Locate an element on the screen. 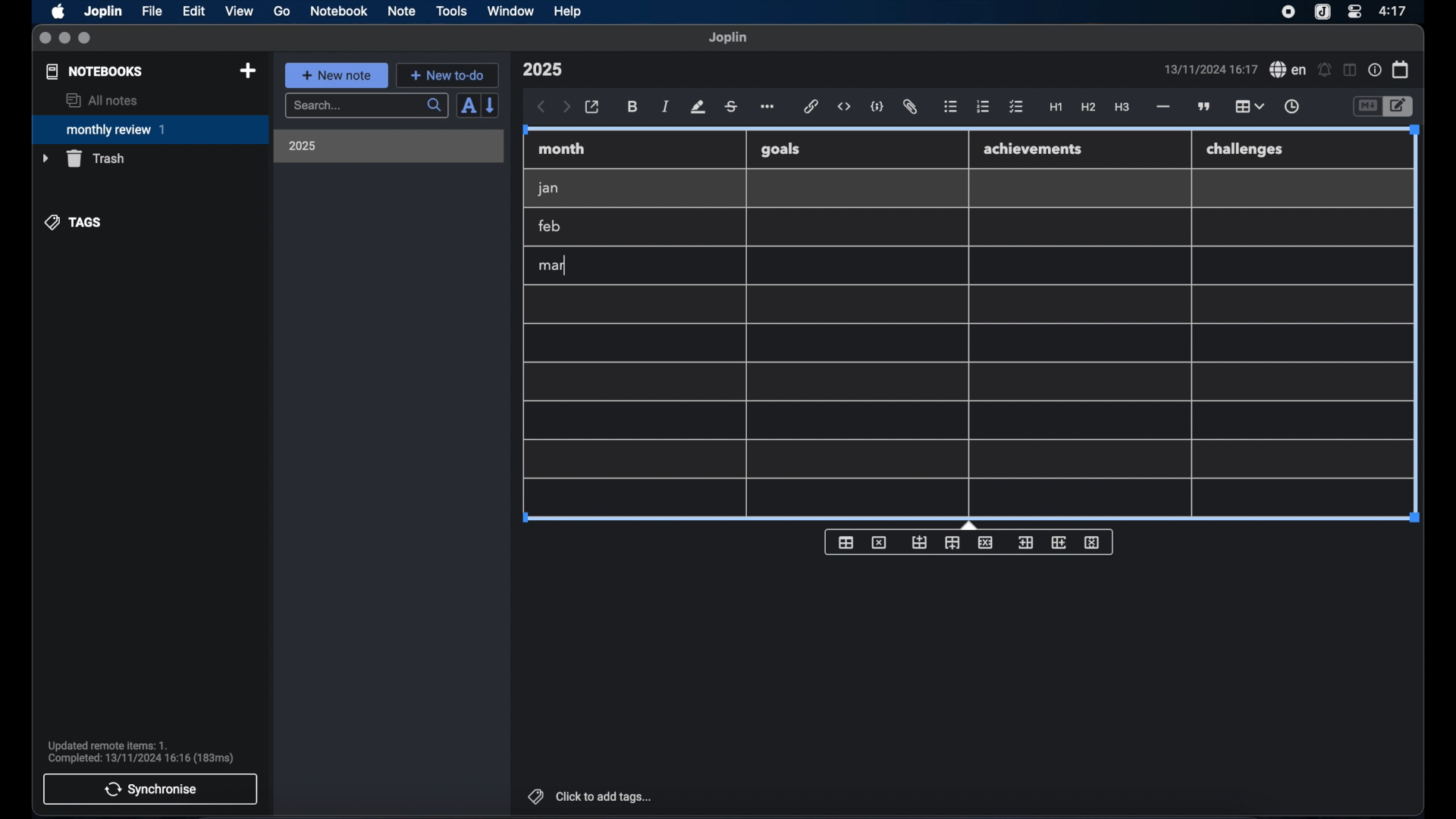 The height and width of the screenshot is (819, 1456). heading 3 is located at coordinates (1122, 108).